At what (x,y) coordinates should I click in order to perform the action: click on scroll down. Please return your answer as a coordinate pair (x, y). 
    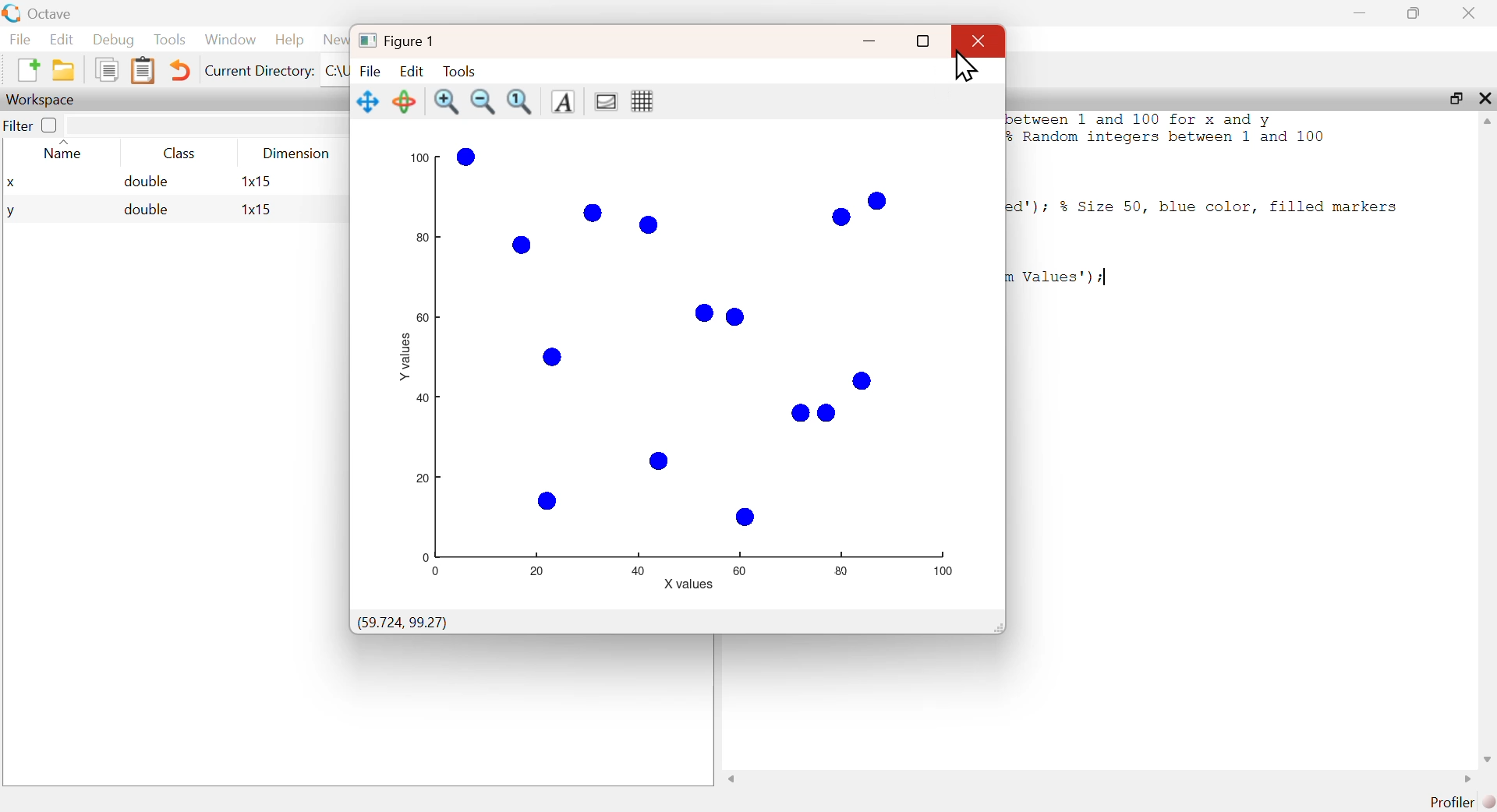
    Looking at the image, I should click on (1485, 761).